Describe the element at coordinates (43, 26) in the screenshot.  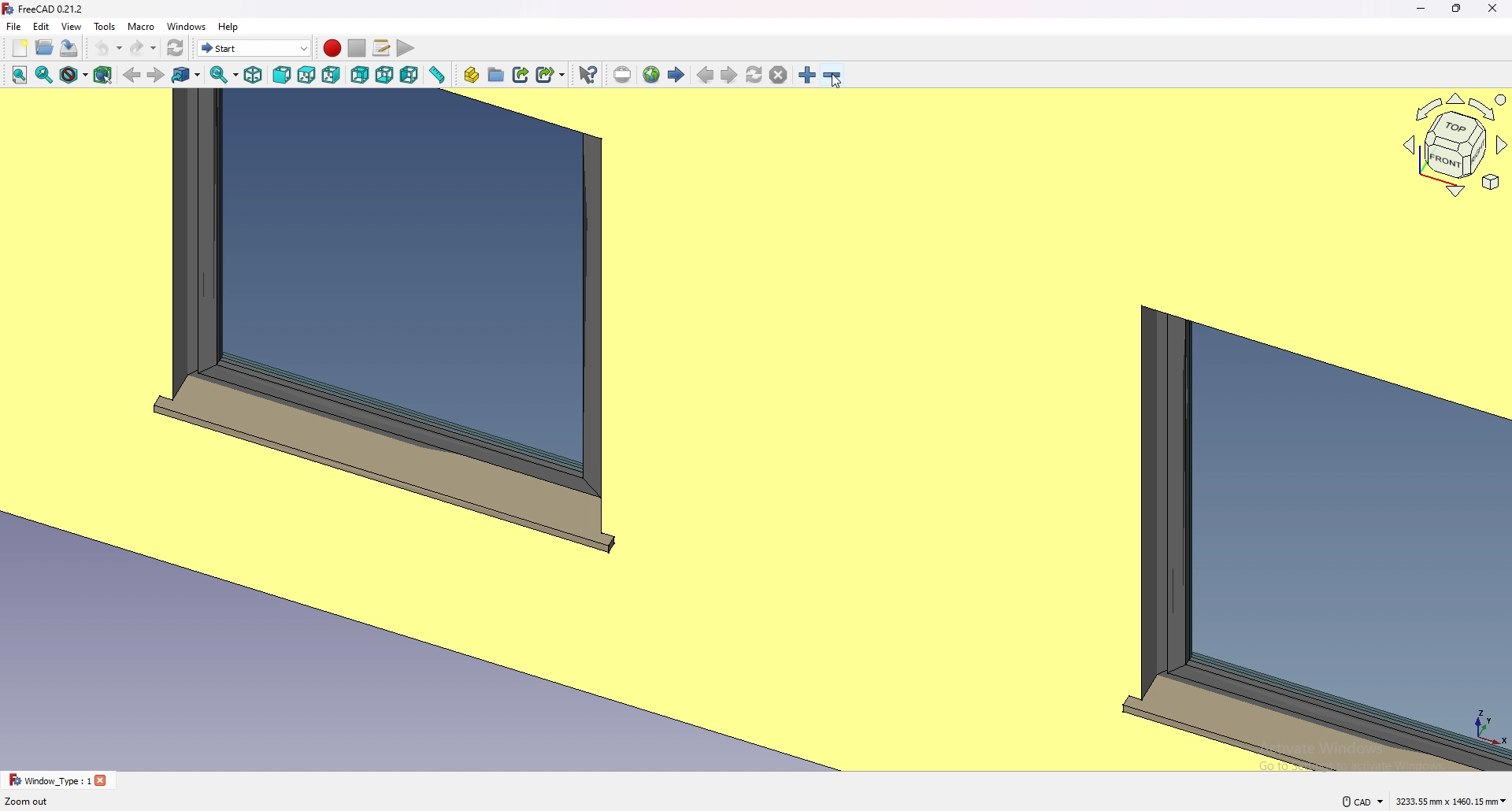
I see `edit` at that location.